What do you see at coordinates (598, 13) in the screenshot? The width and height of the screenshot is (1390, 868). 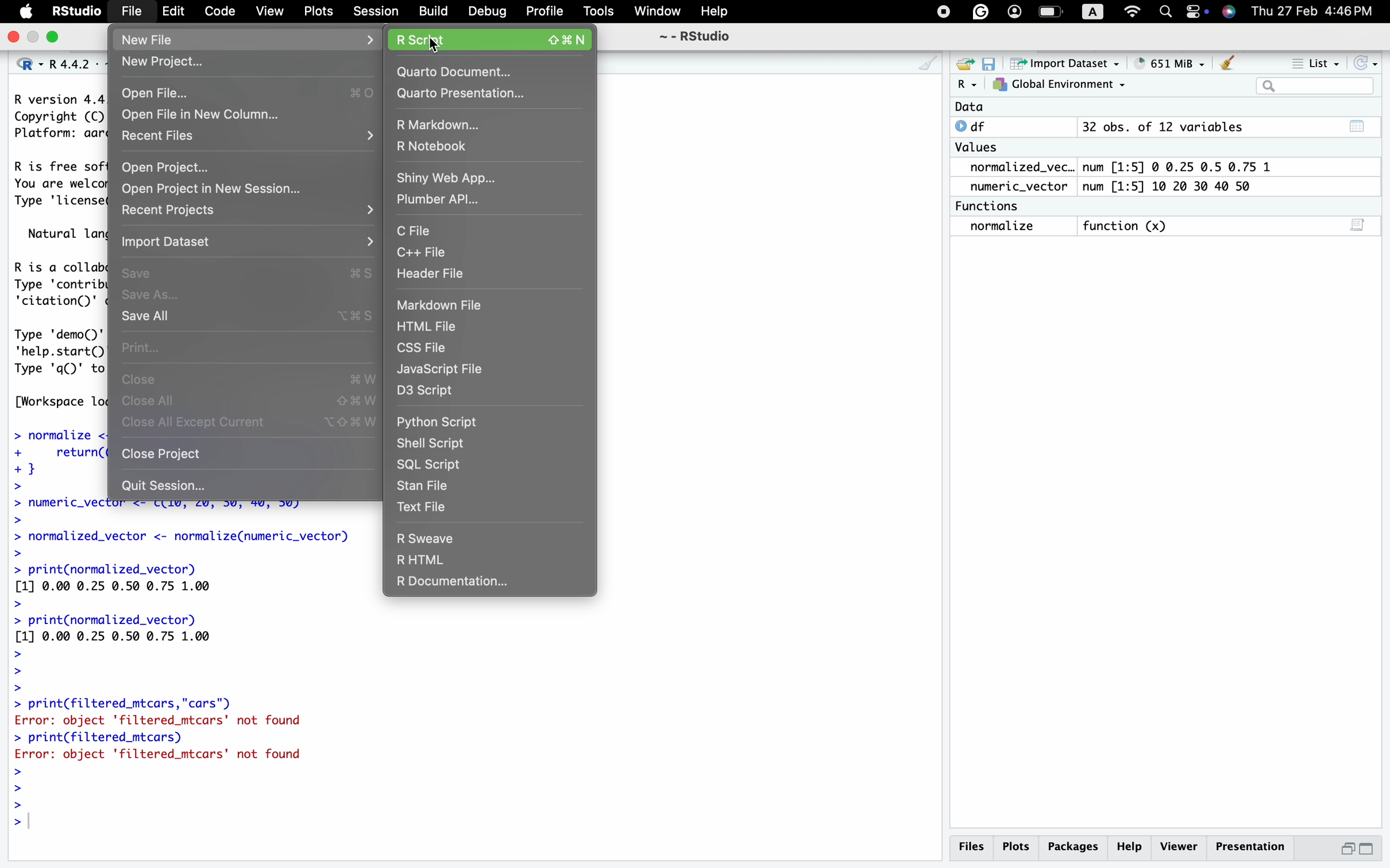 I see `Tools` at bounding box center [598, 13].